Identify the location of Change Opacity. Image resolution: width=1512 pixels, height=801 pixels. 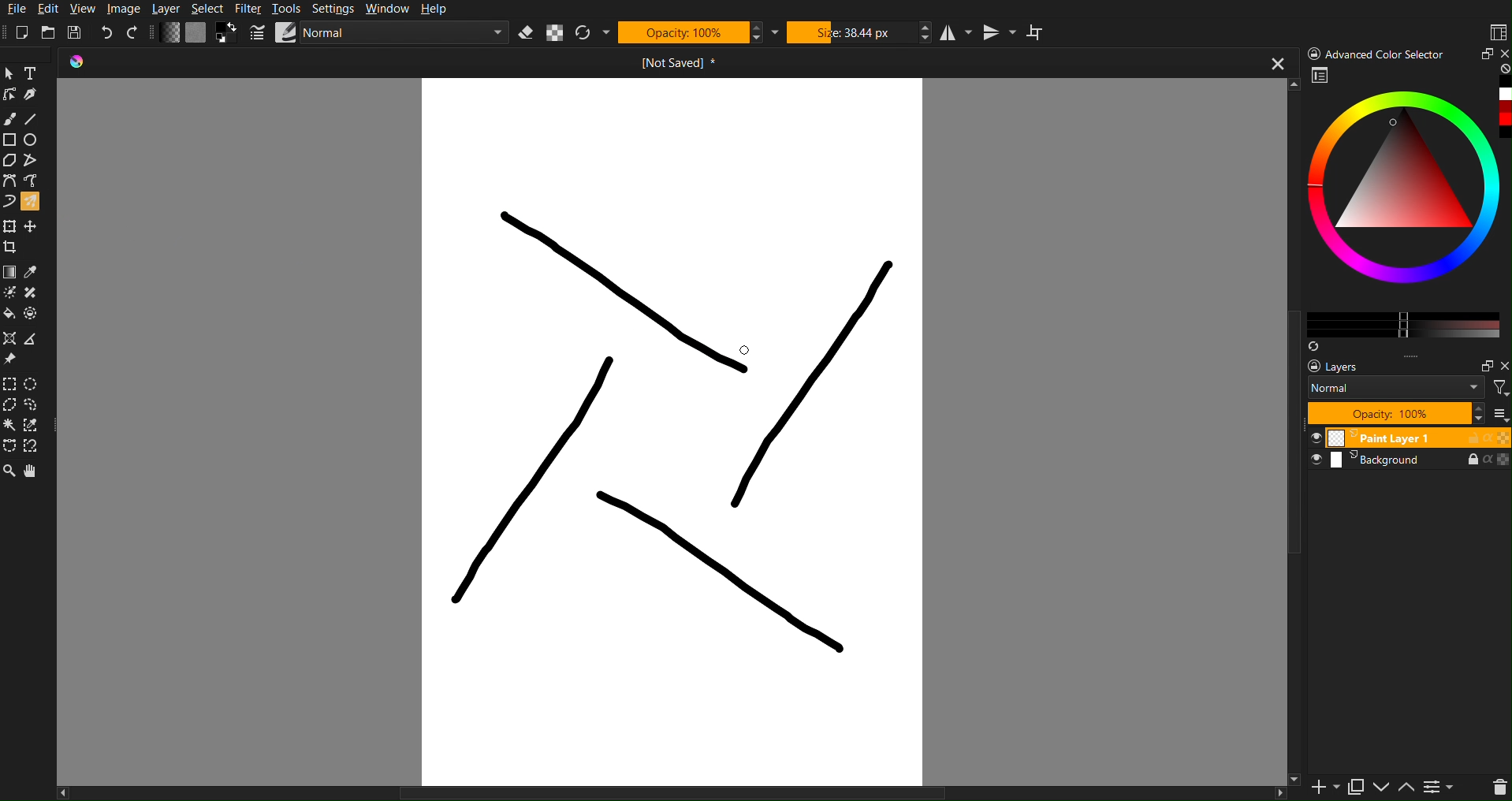
(170, 33).